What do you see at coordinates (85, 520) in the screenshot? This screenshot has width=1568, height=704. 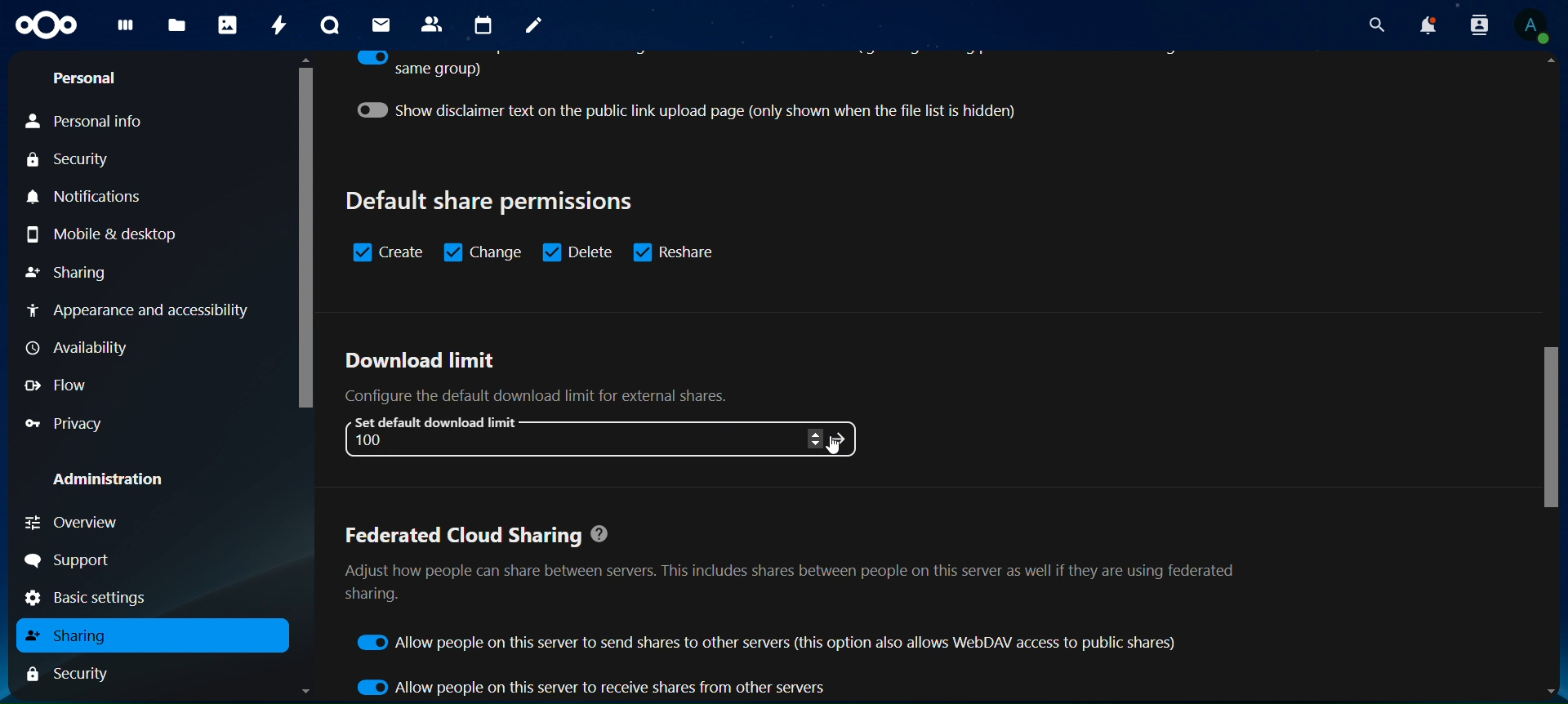 I see `overview` at bounding box center [85, 520].